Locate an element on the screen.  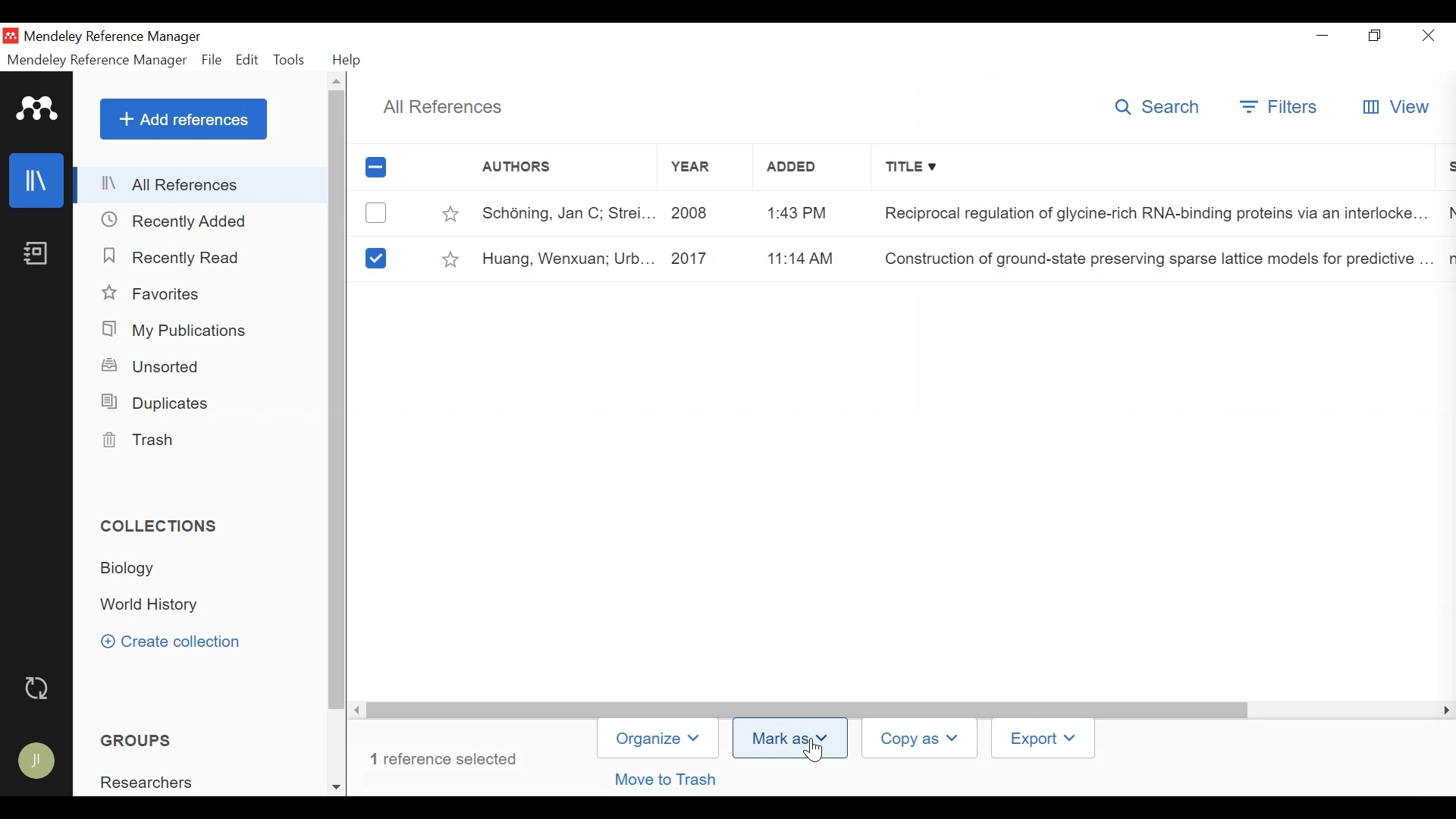
(un)select is located at coordinates (375, 168).